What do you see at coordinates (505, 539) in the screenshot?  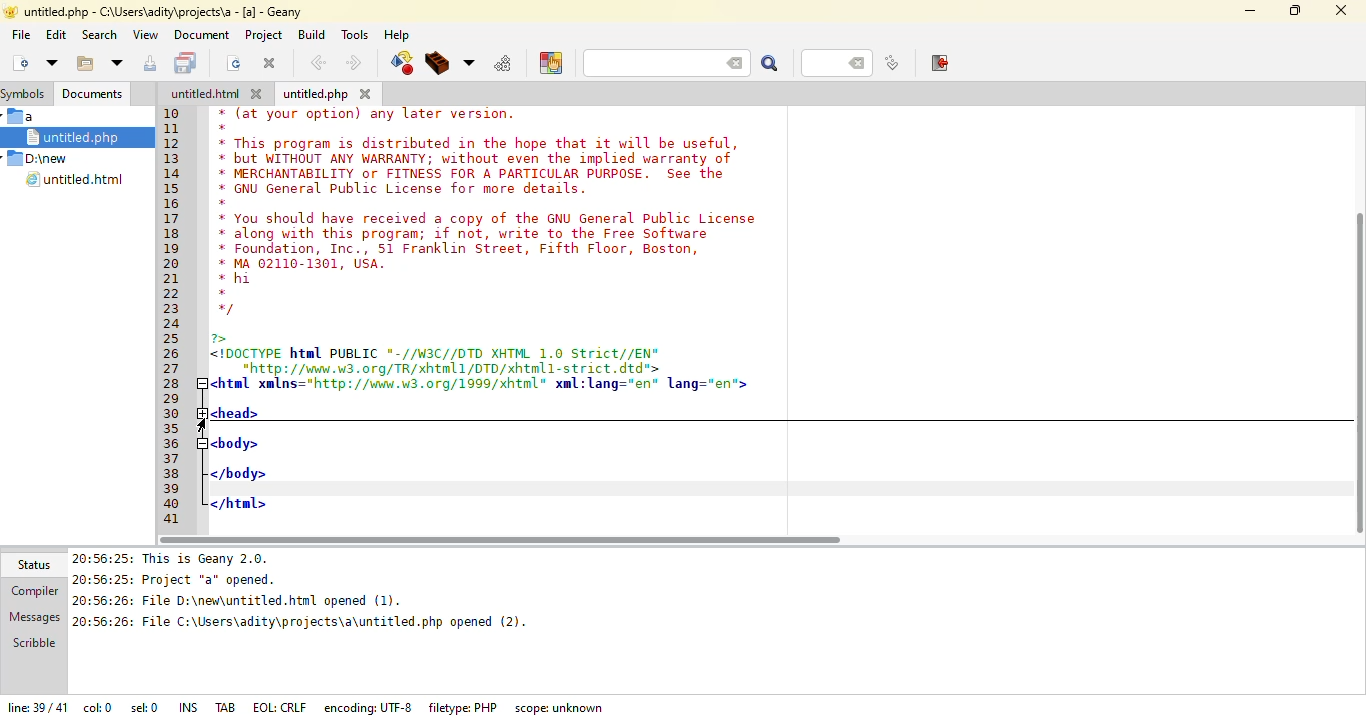 I see `horizontal scroll bar` at bounding box center [505, 539].